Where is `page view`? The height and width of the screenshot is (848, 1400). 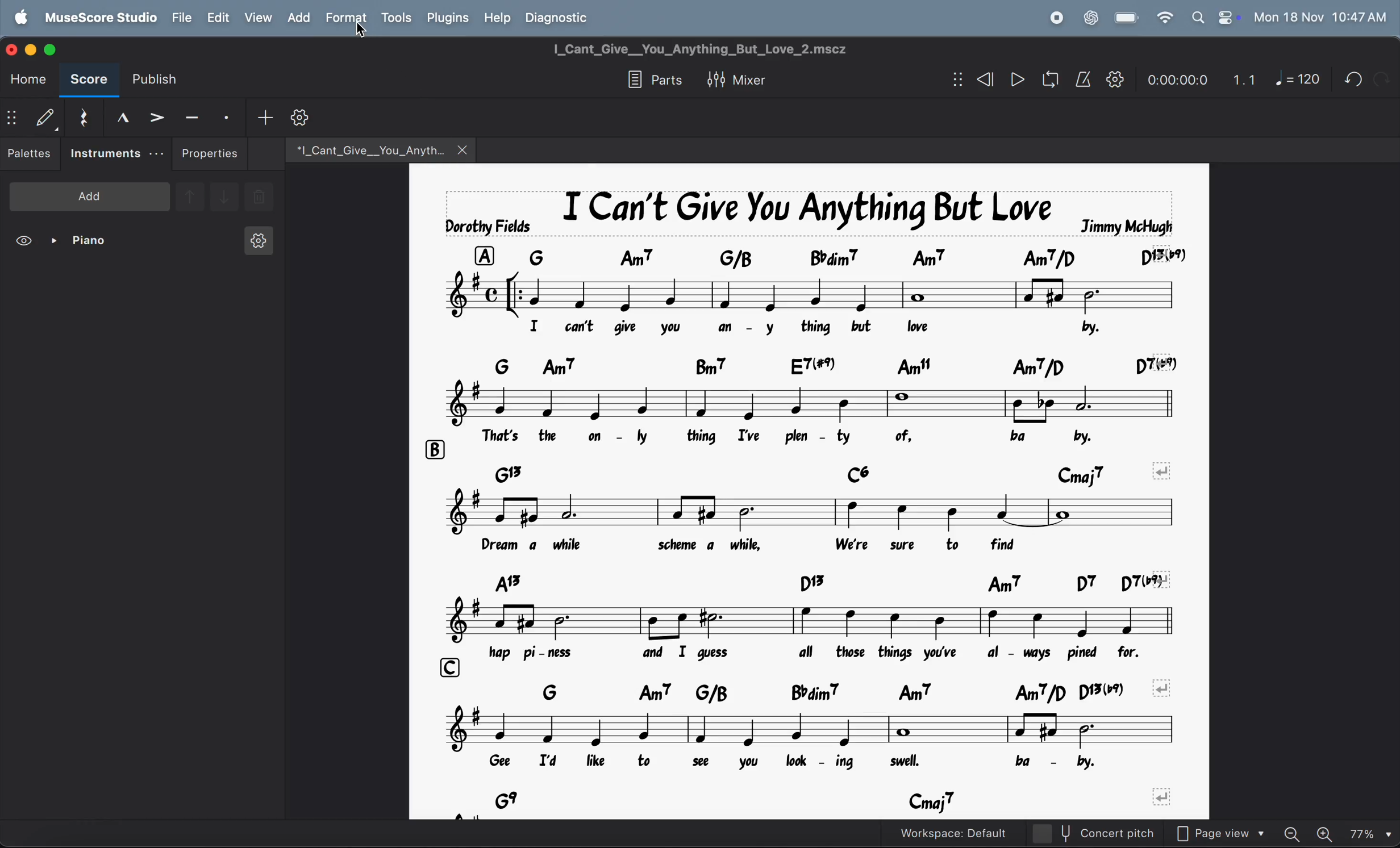
page view is located at coordinates (1226, 832).